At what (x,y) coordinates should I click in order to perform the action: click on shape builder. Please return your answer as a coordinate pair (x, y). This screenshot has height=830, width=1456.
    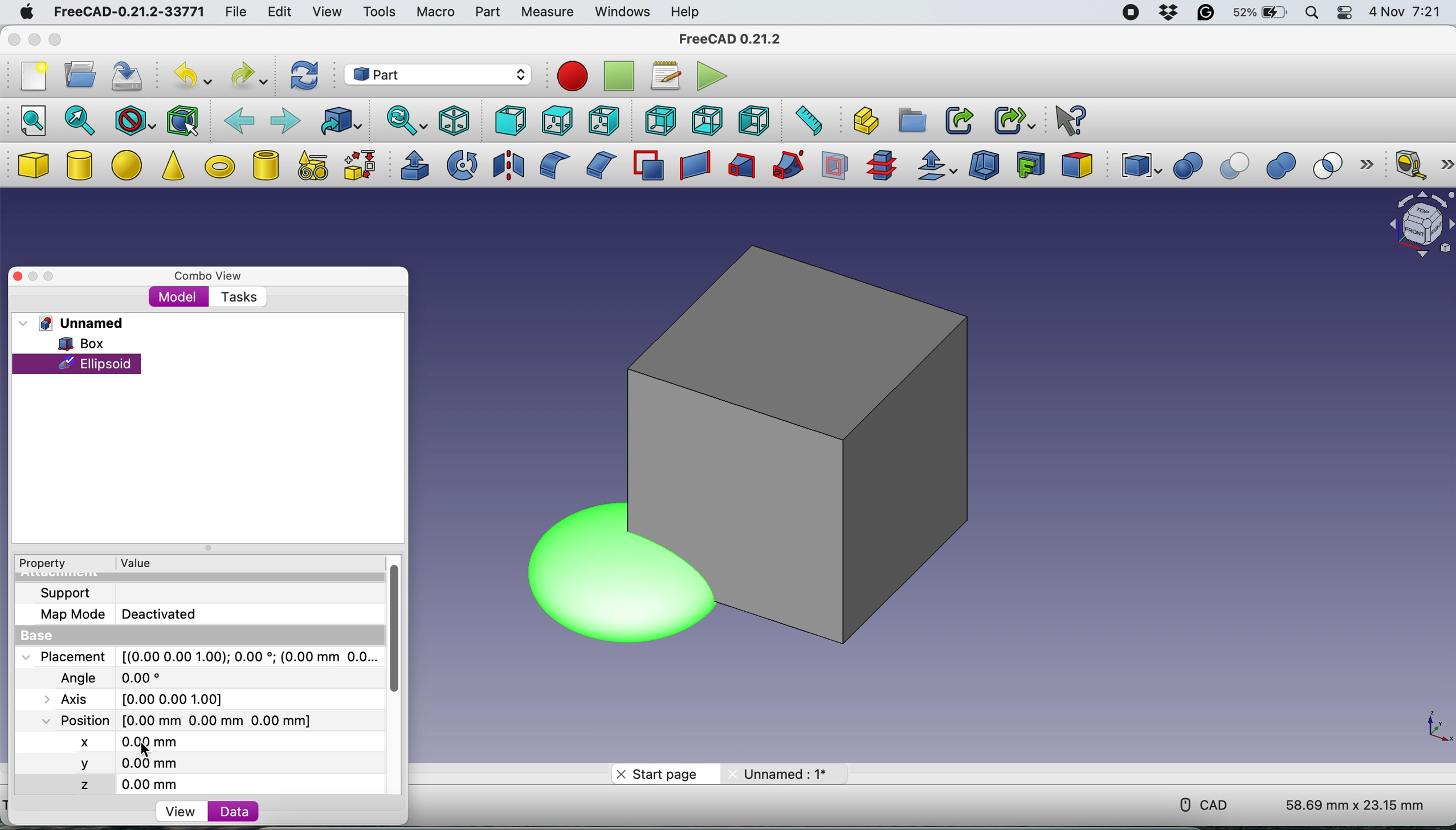
    Looking at the image, I should click on (360, 165).